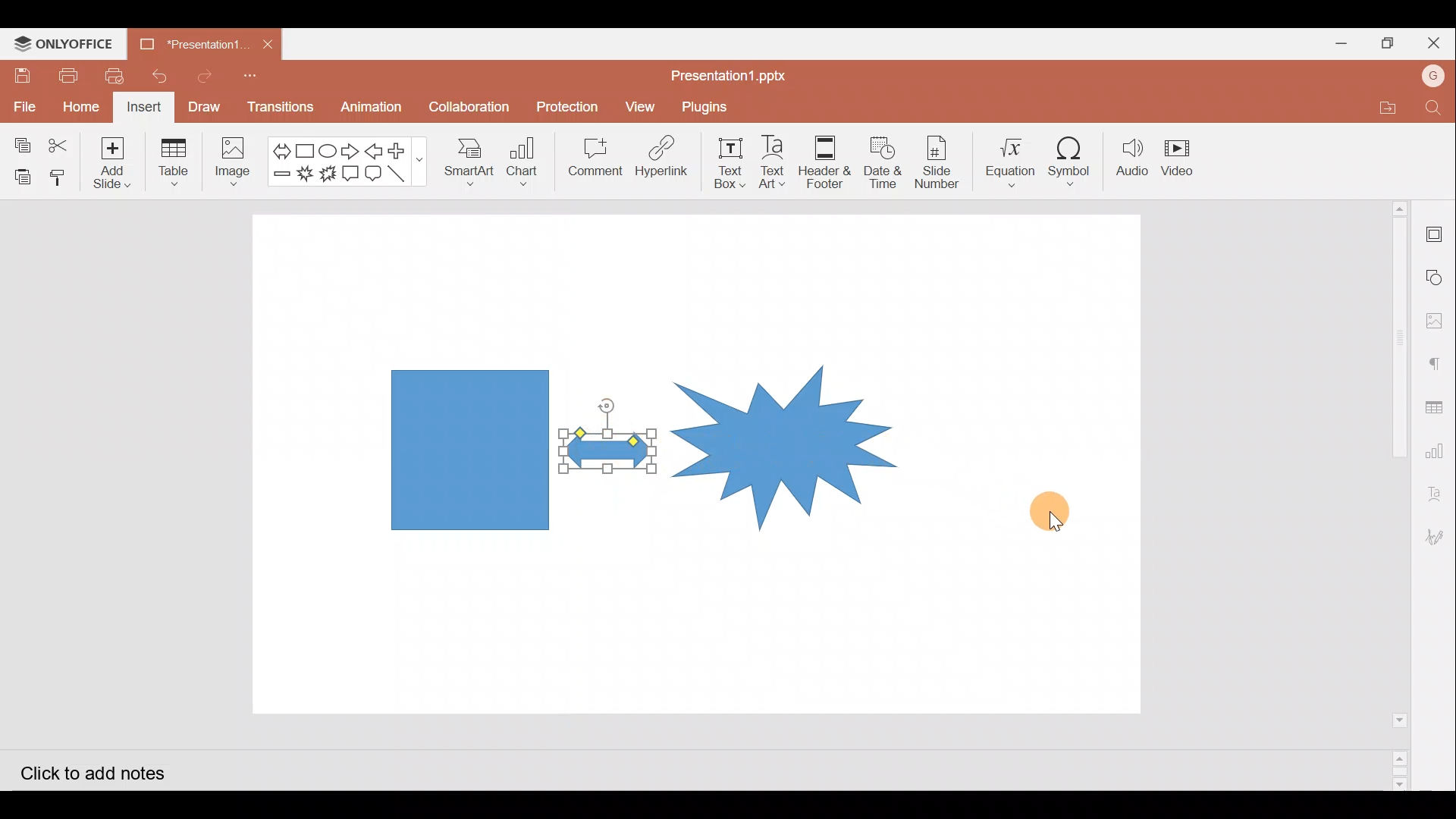 The height and width of the screenshot is (819, 1456). I want to click on Audio, so click(1134, 158).